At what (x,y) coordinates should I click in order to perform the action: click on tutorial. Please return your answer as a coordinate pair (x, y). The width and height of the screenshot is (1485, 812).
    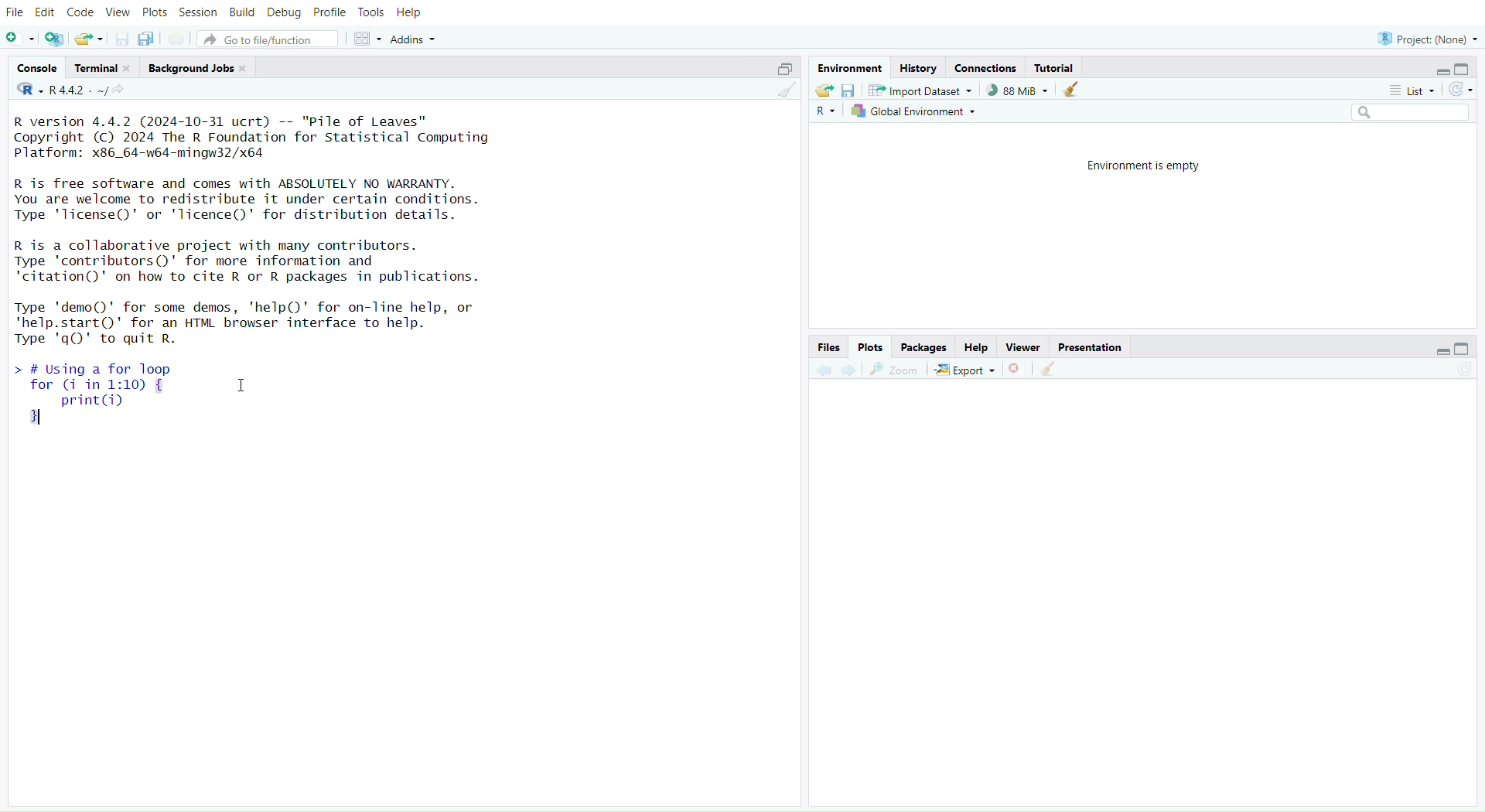
    Looking at the image, I should click on (1057, 67).